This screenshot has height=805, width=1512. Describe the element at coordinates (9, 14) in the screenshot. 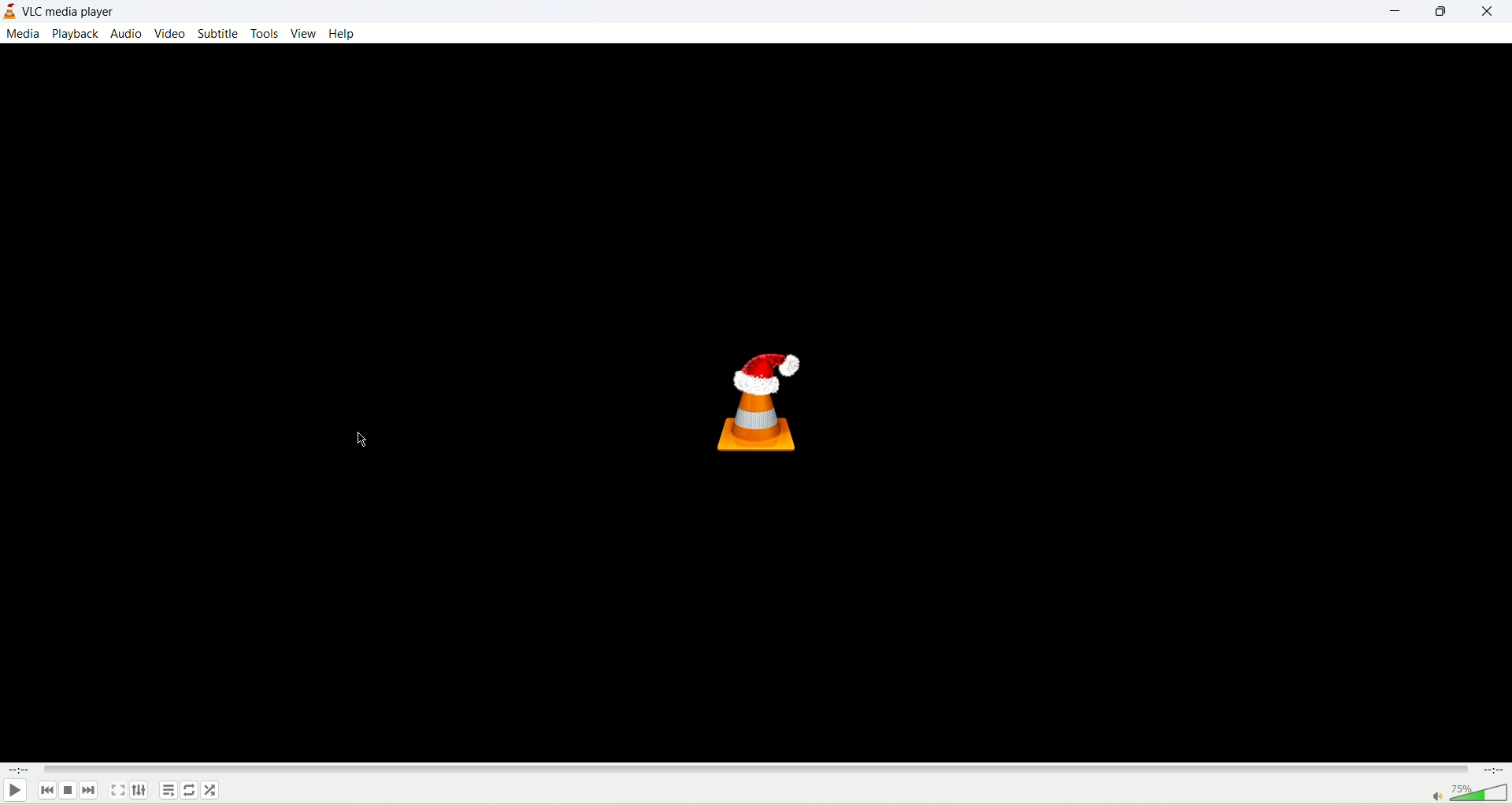

I see `logo` at that location.